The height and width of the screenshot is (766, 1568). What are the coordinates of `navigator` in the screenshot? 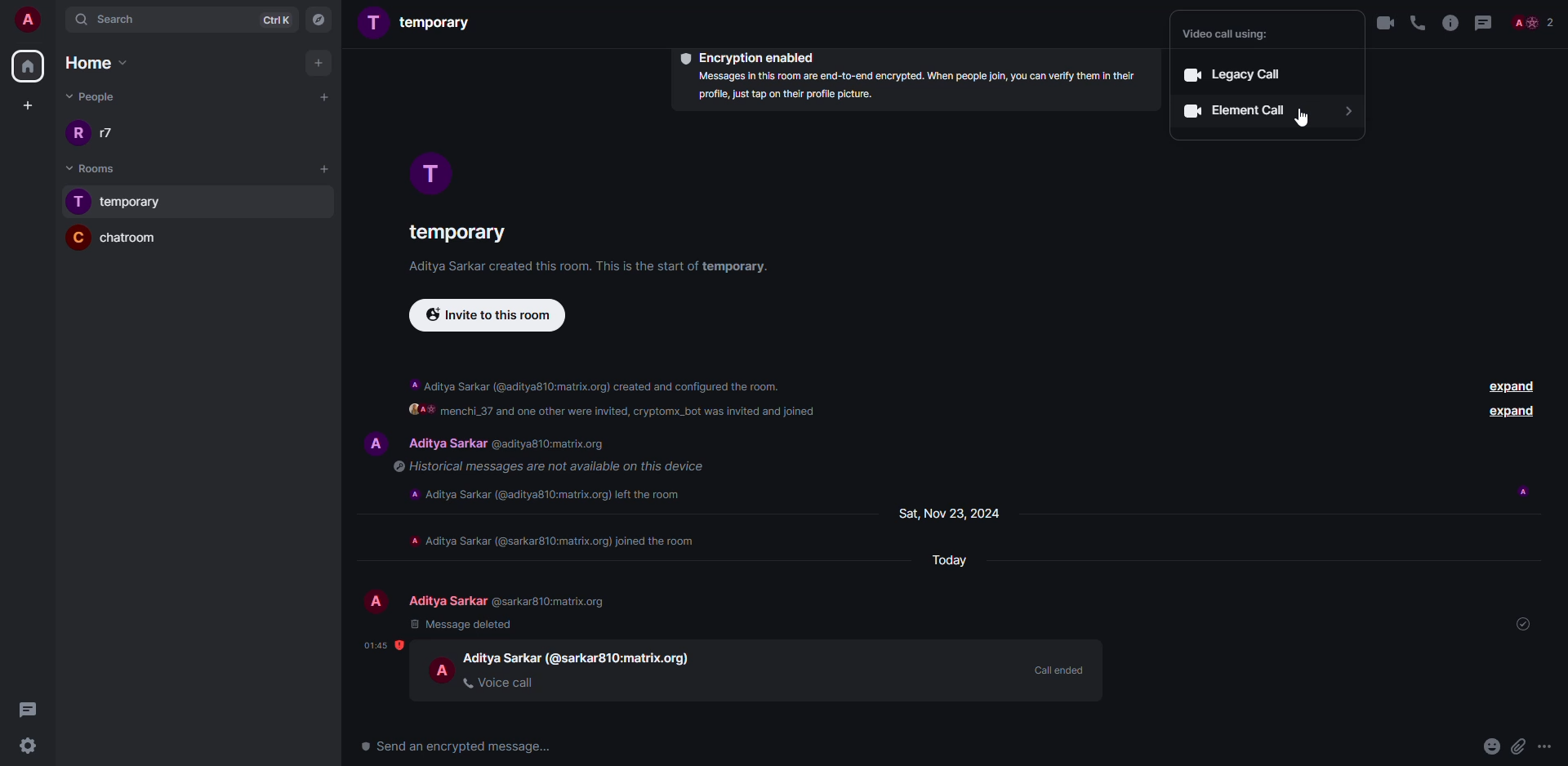 It's located at (318, 20).